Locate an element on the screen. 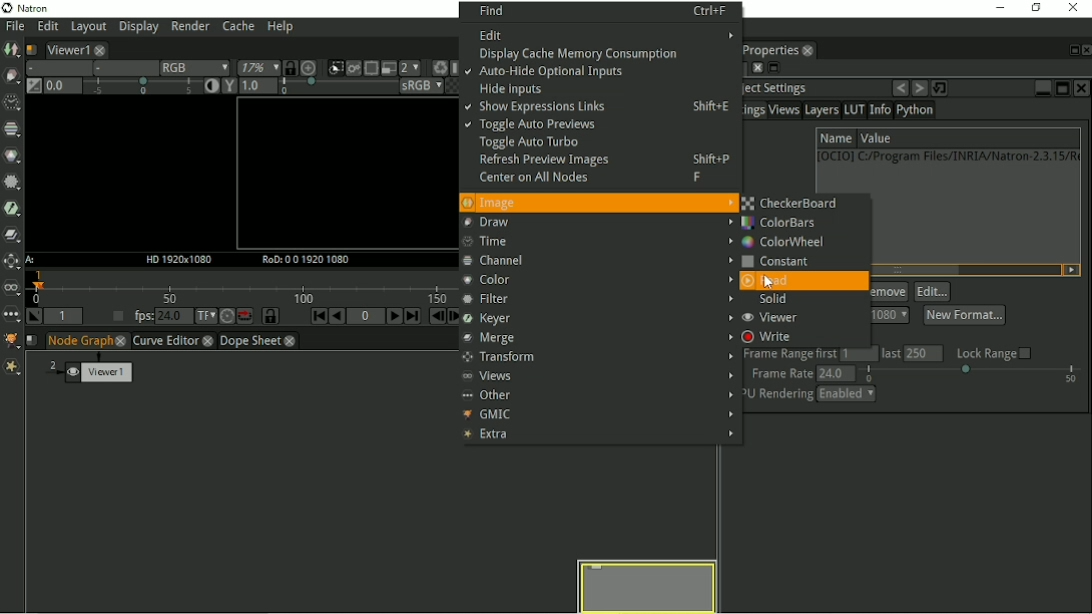 The width and height of the screenshot is (1092, 614). Checkerboard is located at coordinates (793, 203).